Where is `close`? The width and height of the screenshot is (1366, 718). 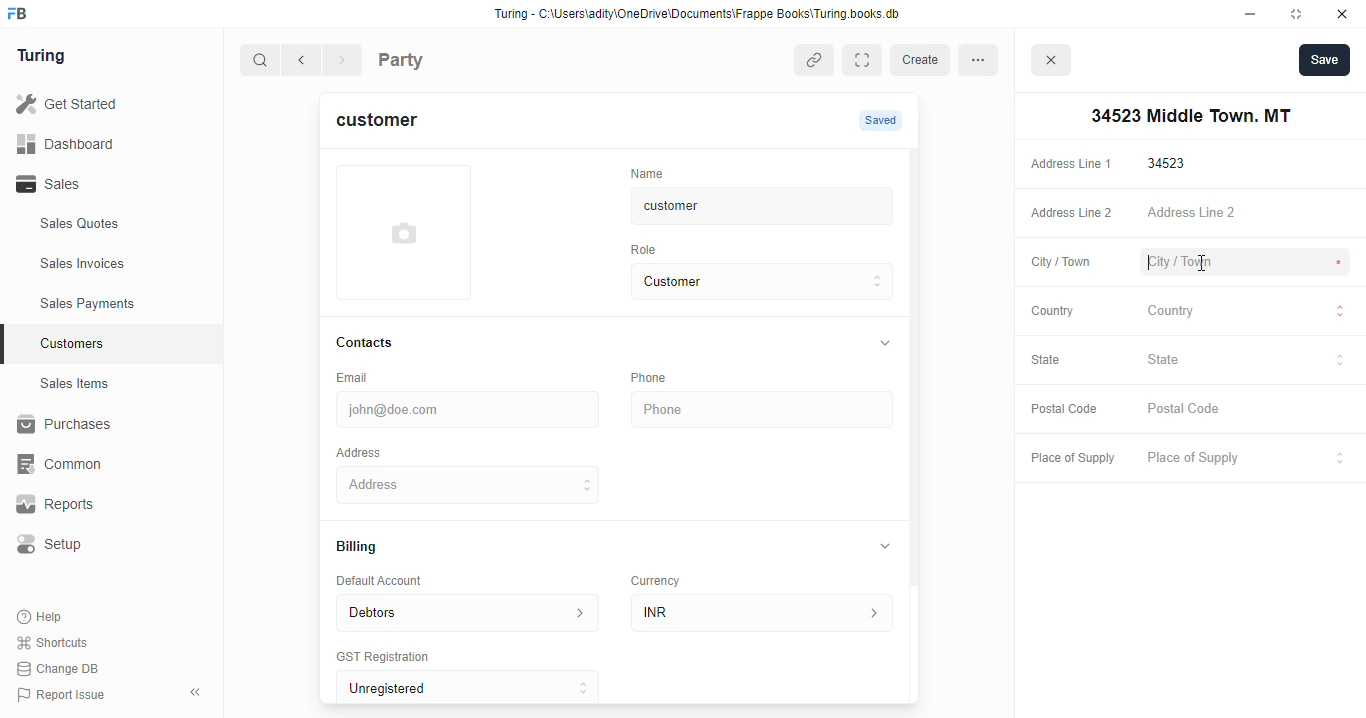
close is located at coordinates (1345, 14).